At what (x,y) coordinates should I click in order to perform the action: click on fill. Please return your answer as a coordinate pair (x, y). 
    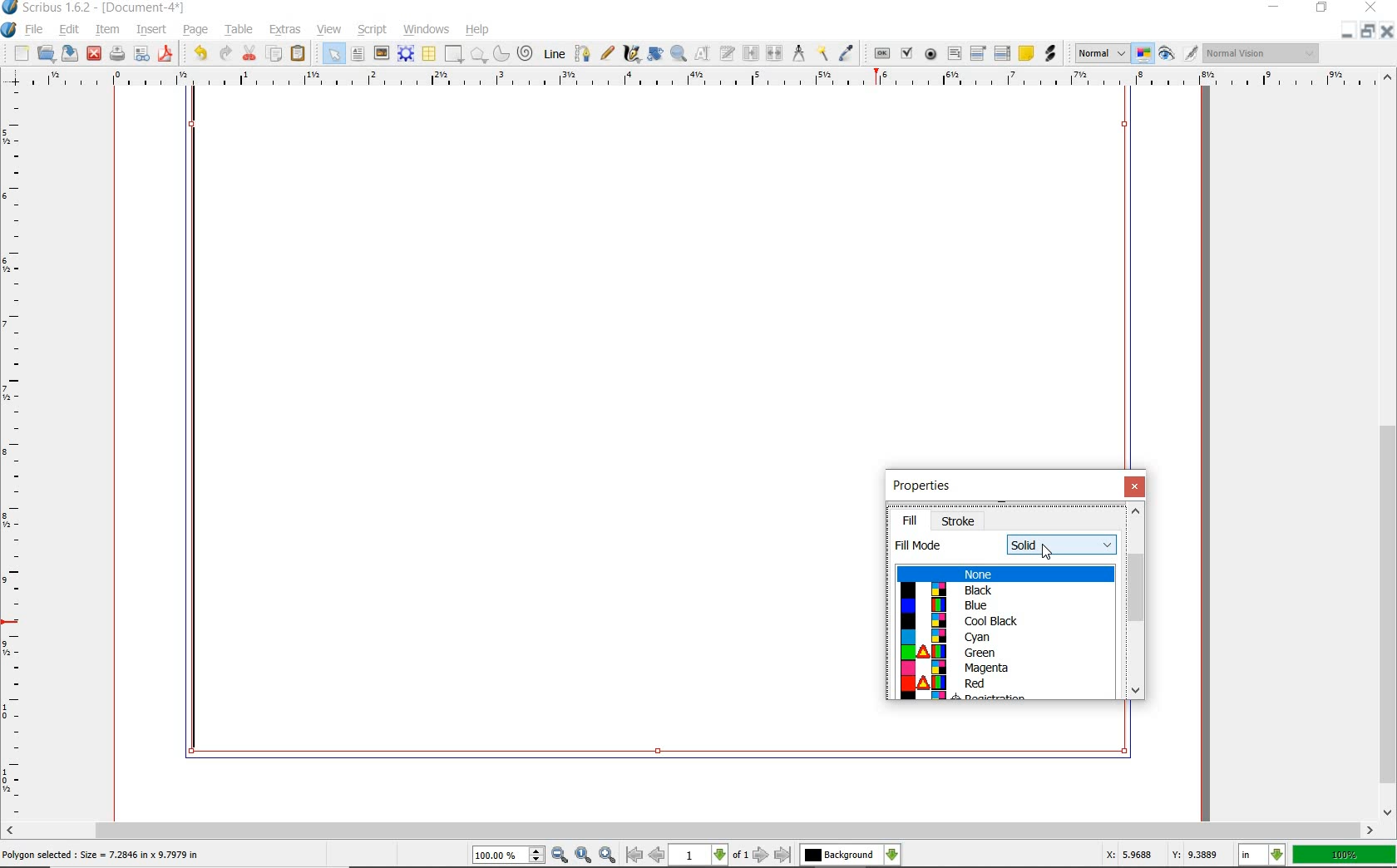
    Looking at the image, I should click on (909, 520).